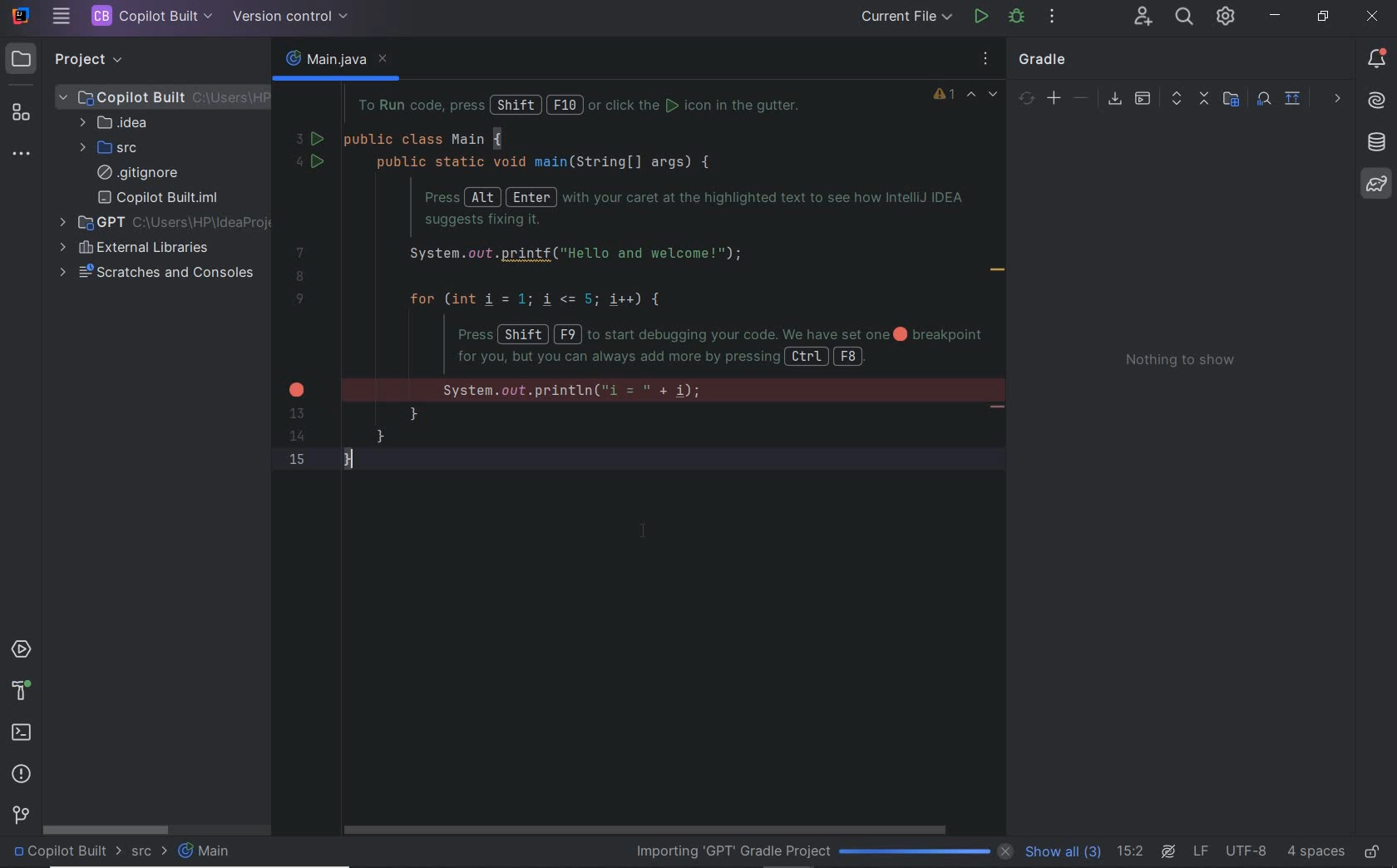 This screenshot has height=868, width=1397. Describe the element at coordinates (22, 774) in the screenshot. I see `problems` at that location.